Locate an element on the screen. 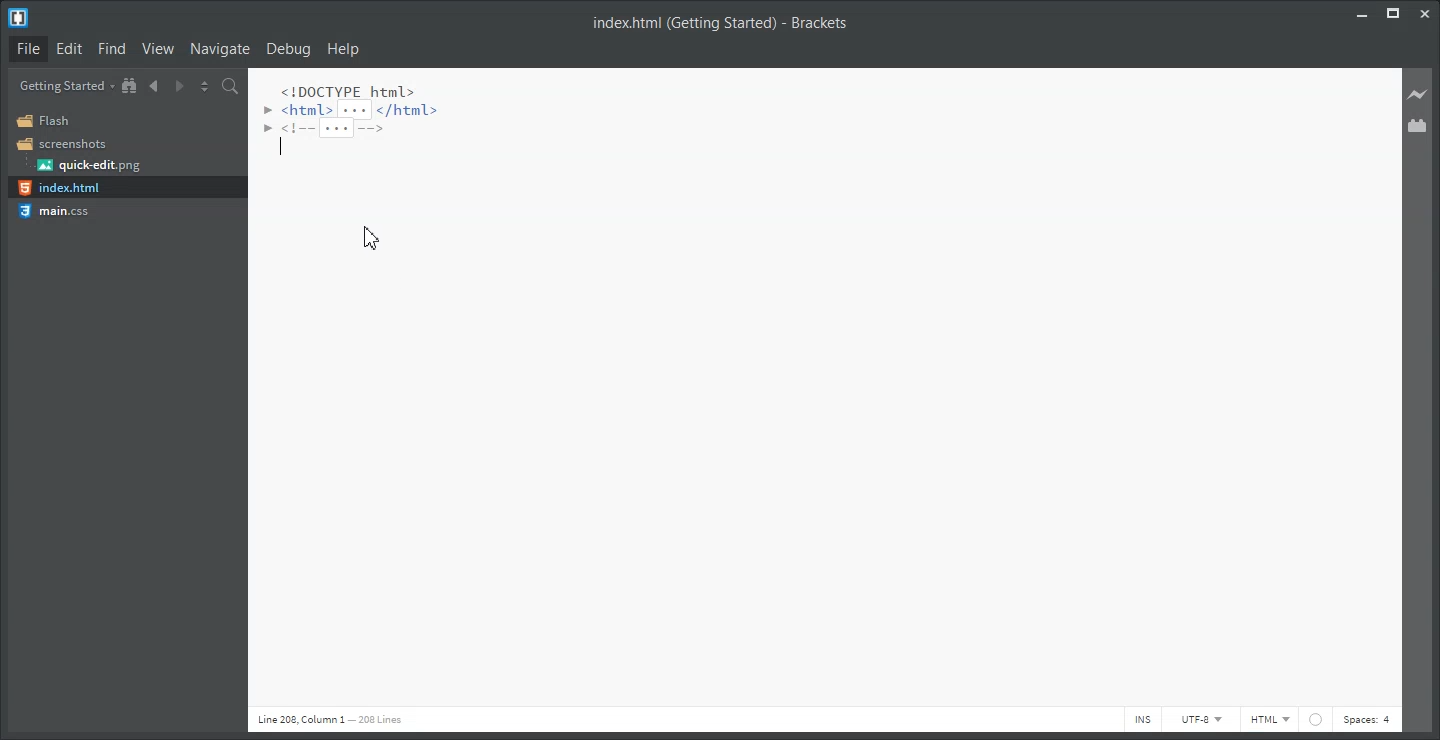 The width and height of the screenshot is (1440, 740). quick-edit.png is located at coordinates (90, 165).